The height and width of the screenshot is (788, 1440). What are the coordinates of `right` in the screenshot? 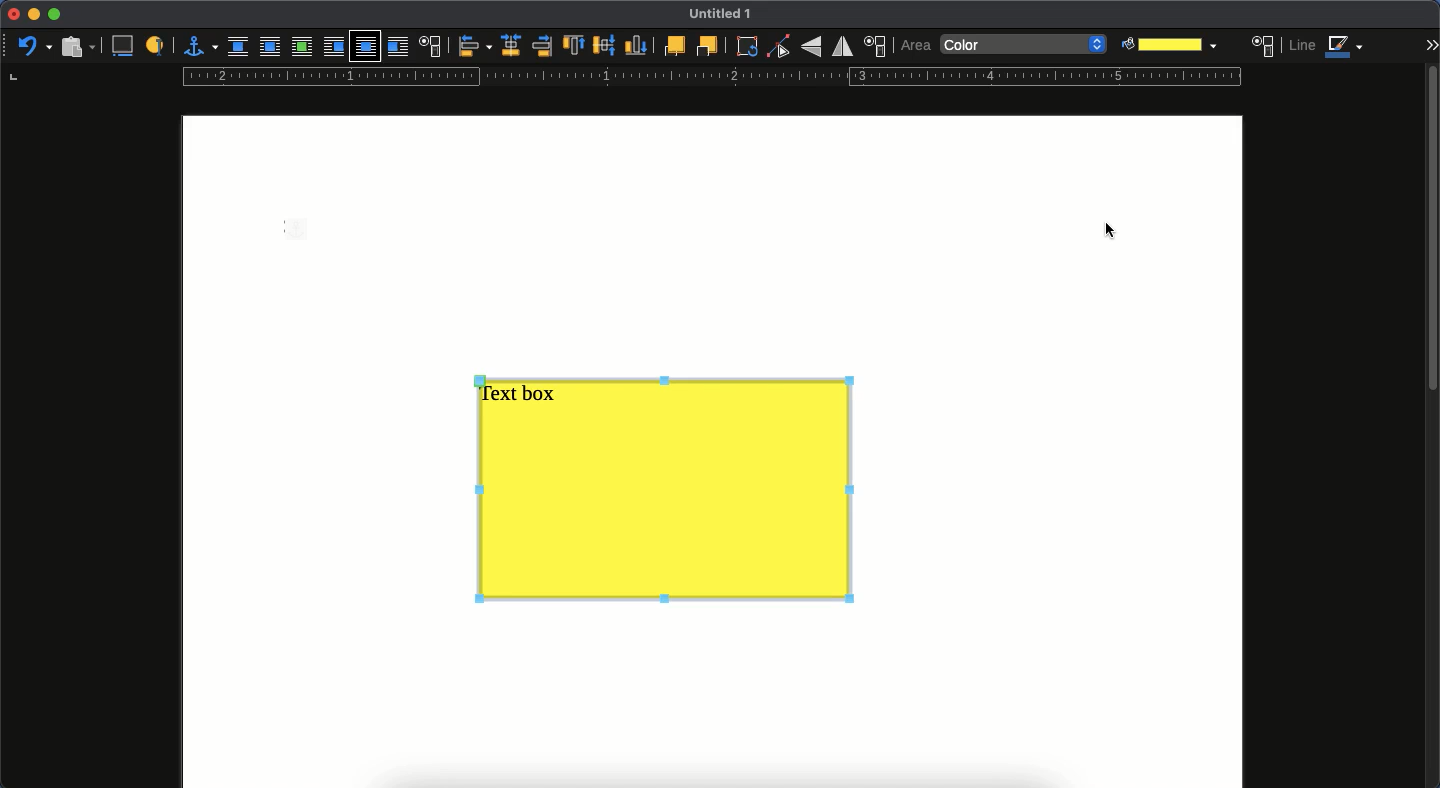 It's located at (541, 47).